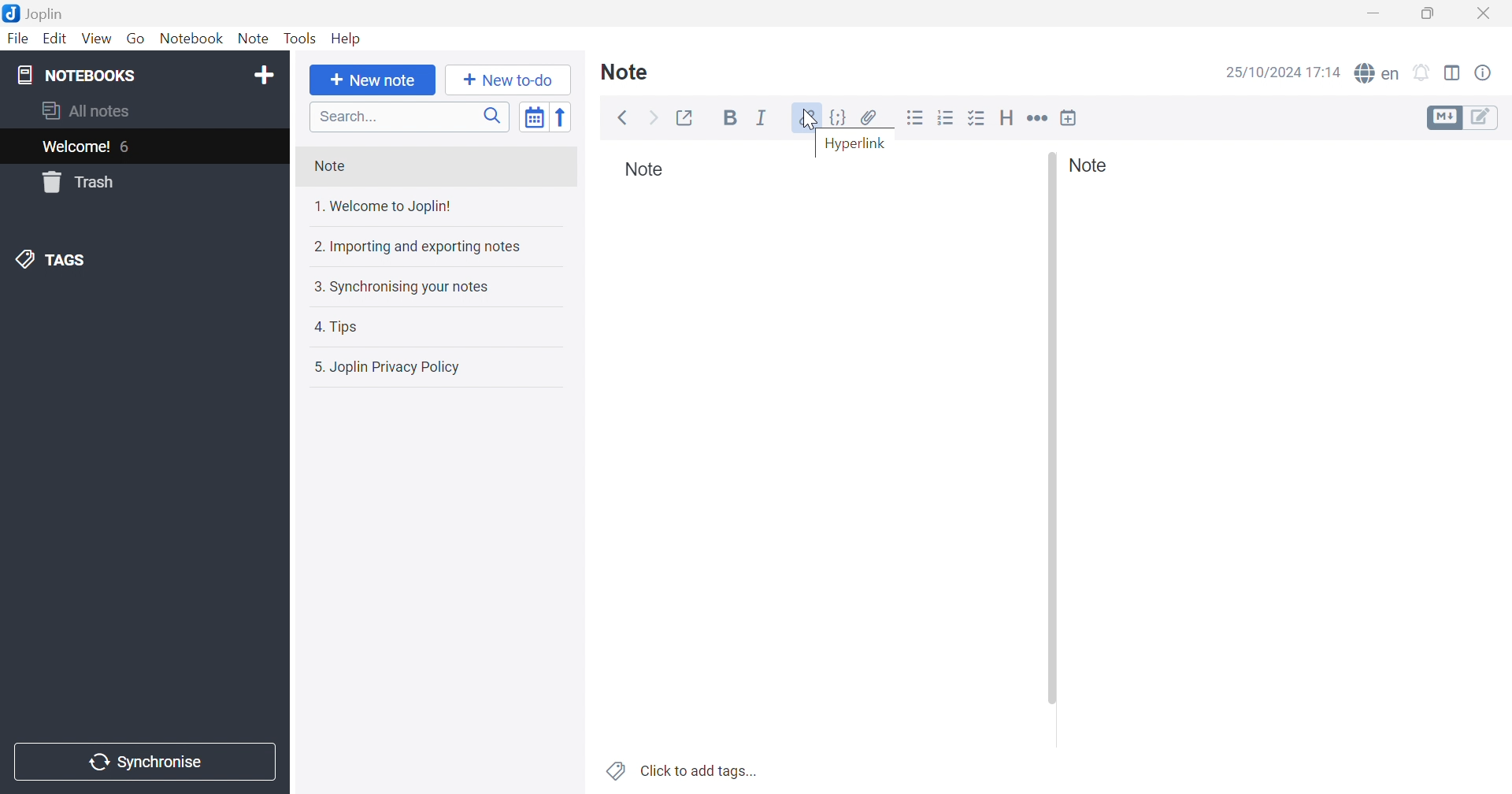 This screenshot has width=1512, height=794. What do you see at coordinates (433, 247) in the screenshot?
I see `2. Importing and exporting notes` at bounding box center [433, 247].